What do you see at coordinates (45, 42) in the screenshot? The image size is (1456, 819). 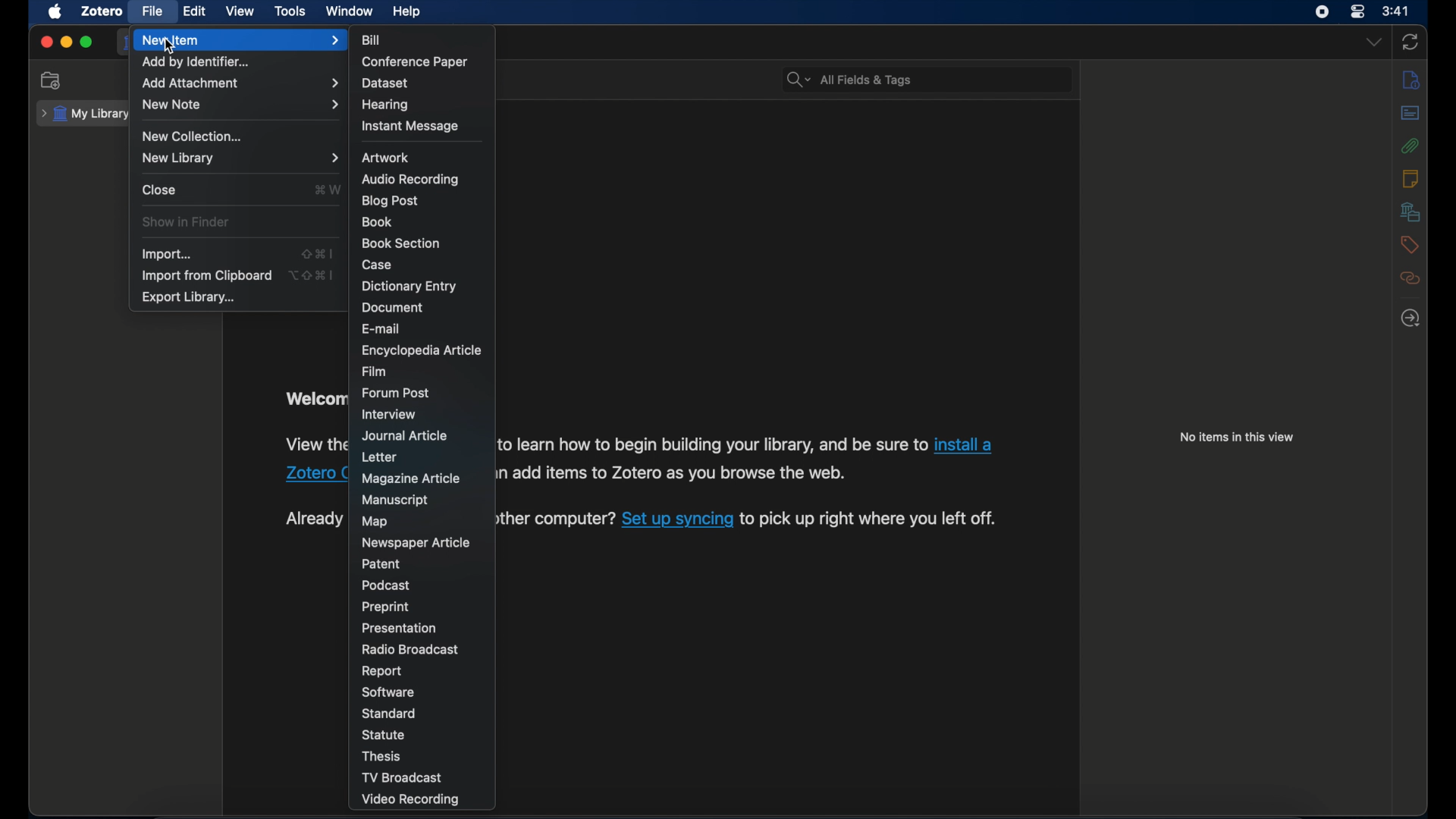 I see `close` at bounding box center [45, 42].